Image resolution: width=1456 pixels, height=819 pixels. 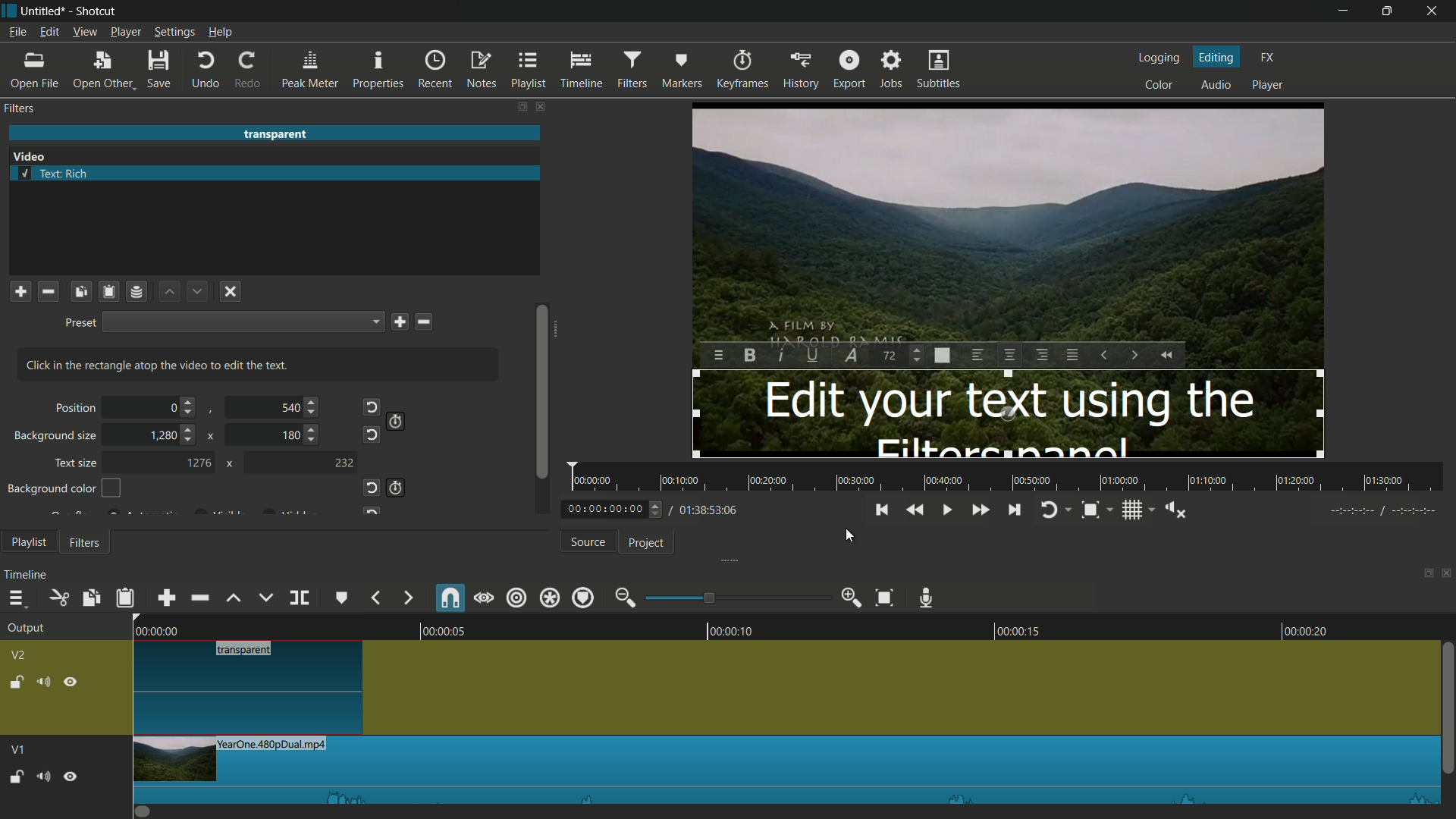 What do you see at coordinates (288, 408) in the screenshot?
I see `540` at bounding box center [288, 408].